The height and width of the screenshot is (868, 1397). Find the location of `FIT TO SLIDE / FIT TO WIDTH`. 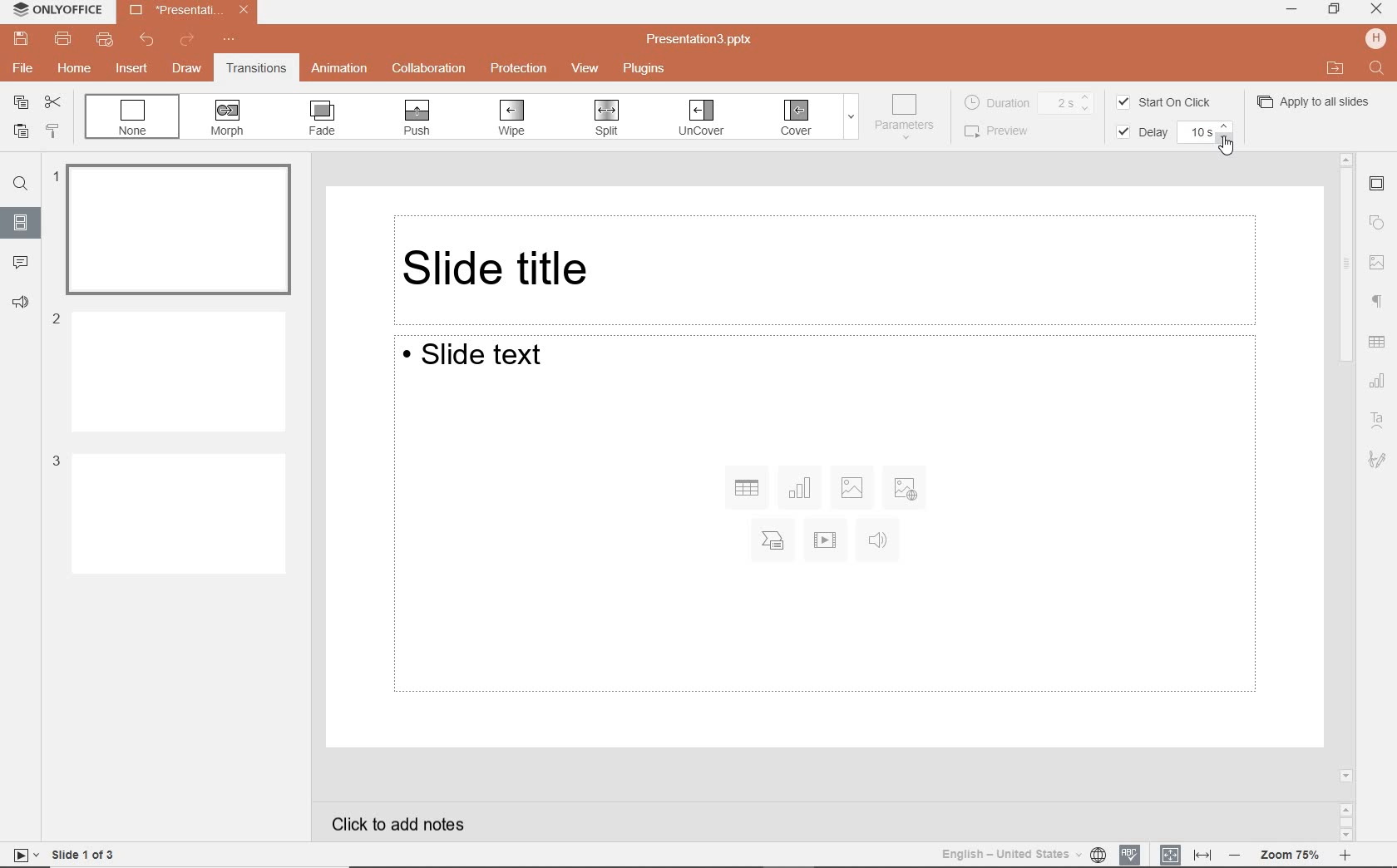

FIT TO SLIDE / FIT TO WIDTH is located at coordinates (1187, 854).